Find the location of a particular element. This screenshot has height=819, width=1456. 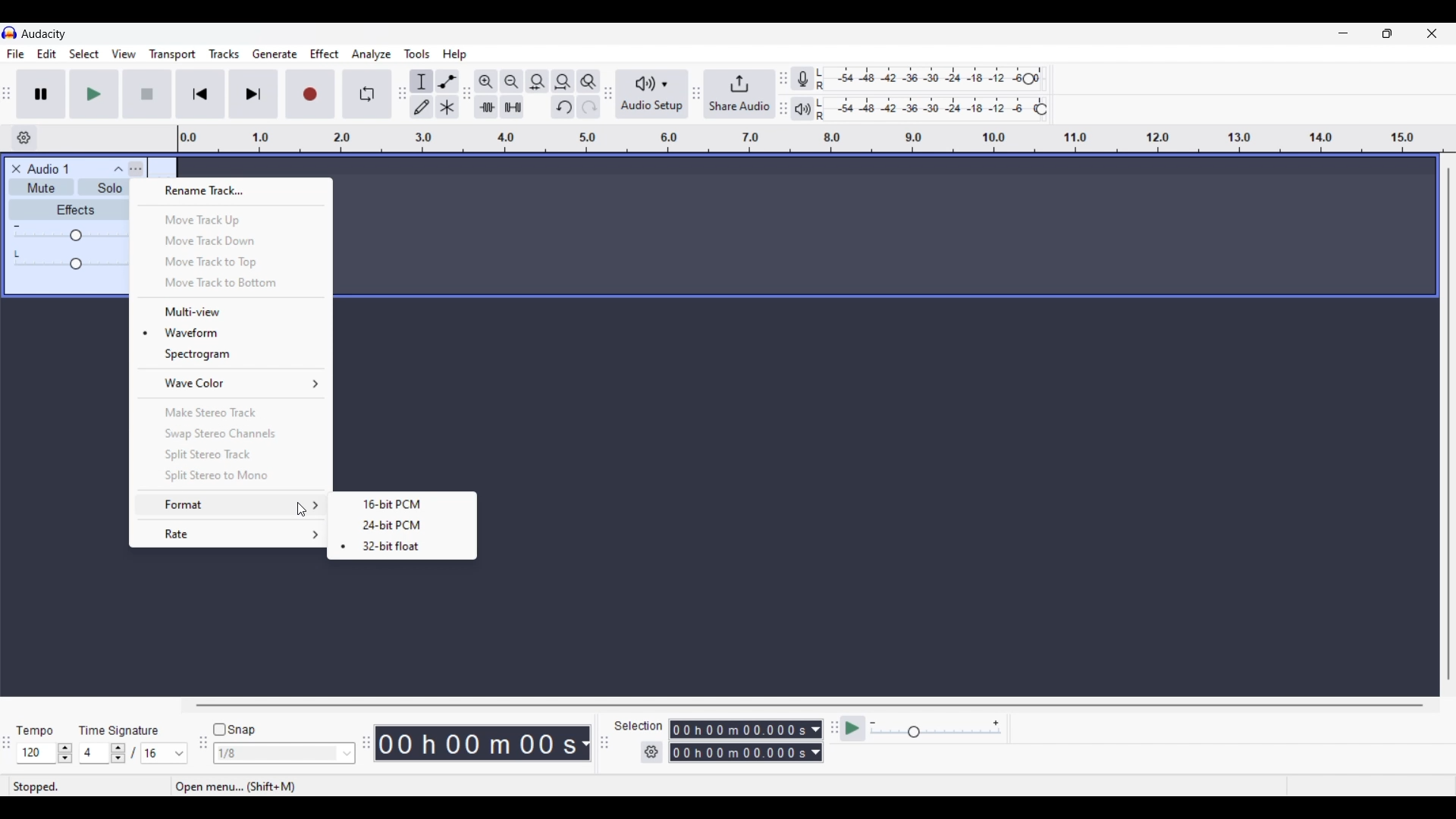

View menu is located at coordinates (124, 54).